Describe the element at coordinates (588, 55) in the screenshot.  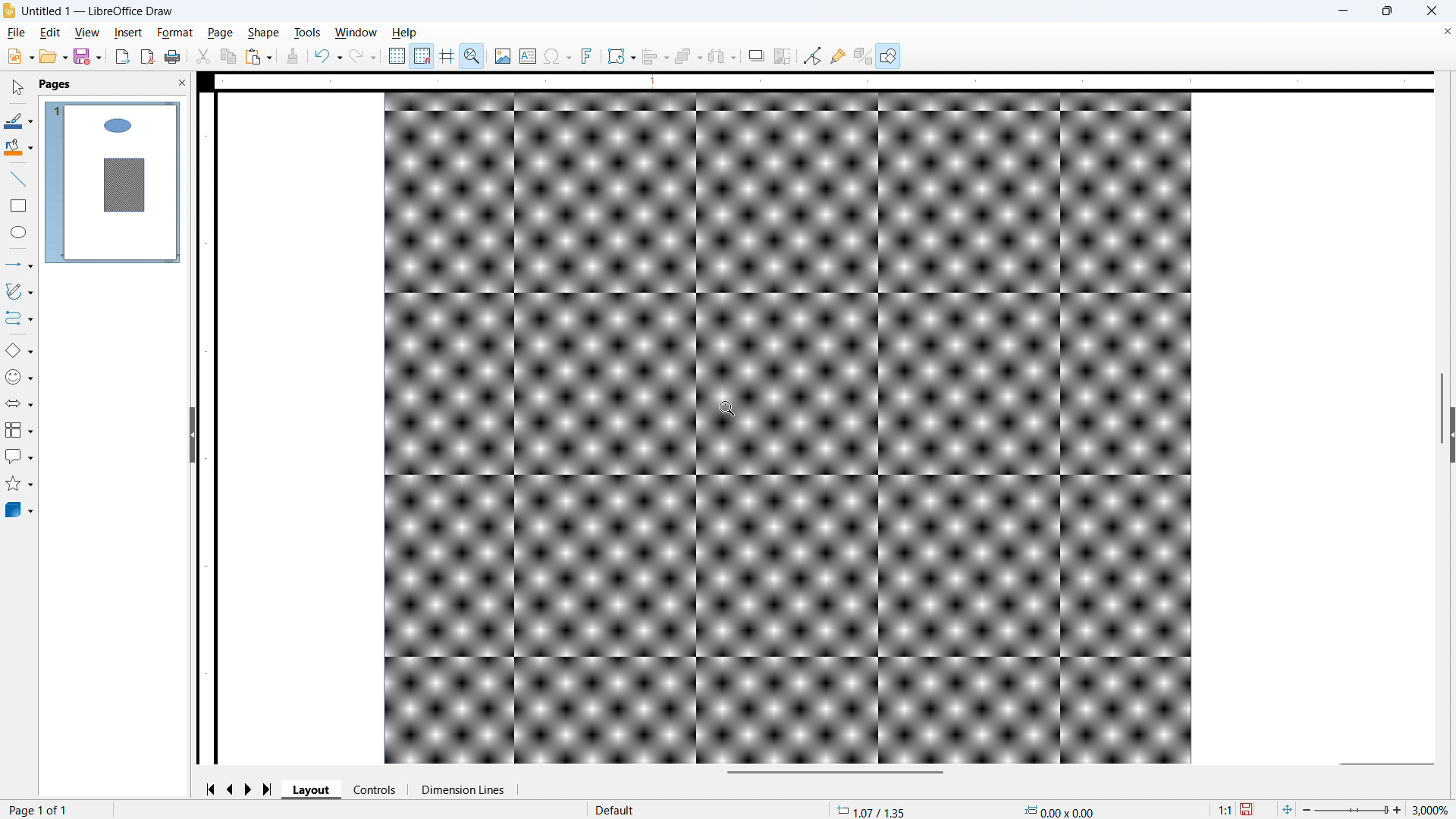
I see `Insert font work text ` at that location.